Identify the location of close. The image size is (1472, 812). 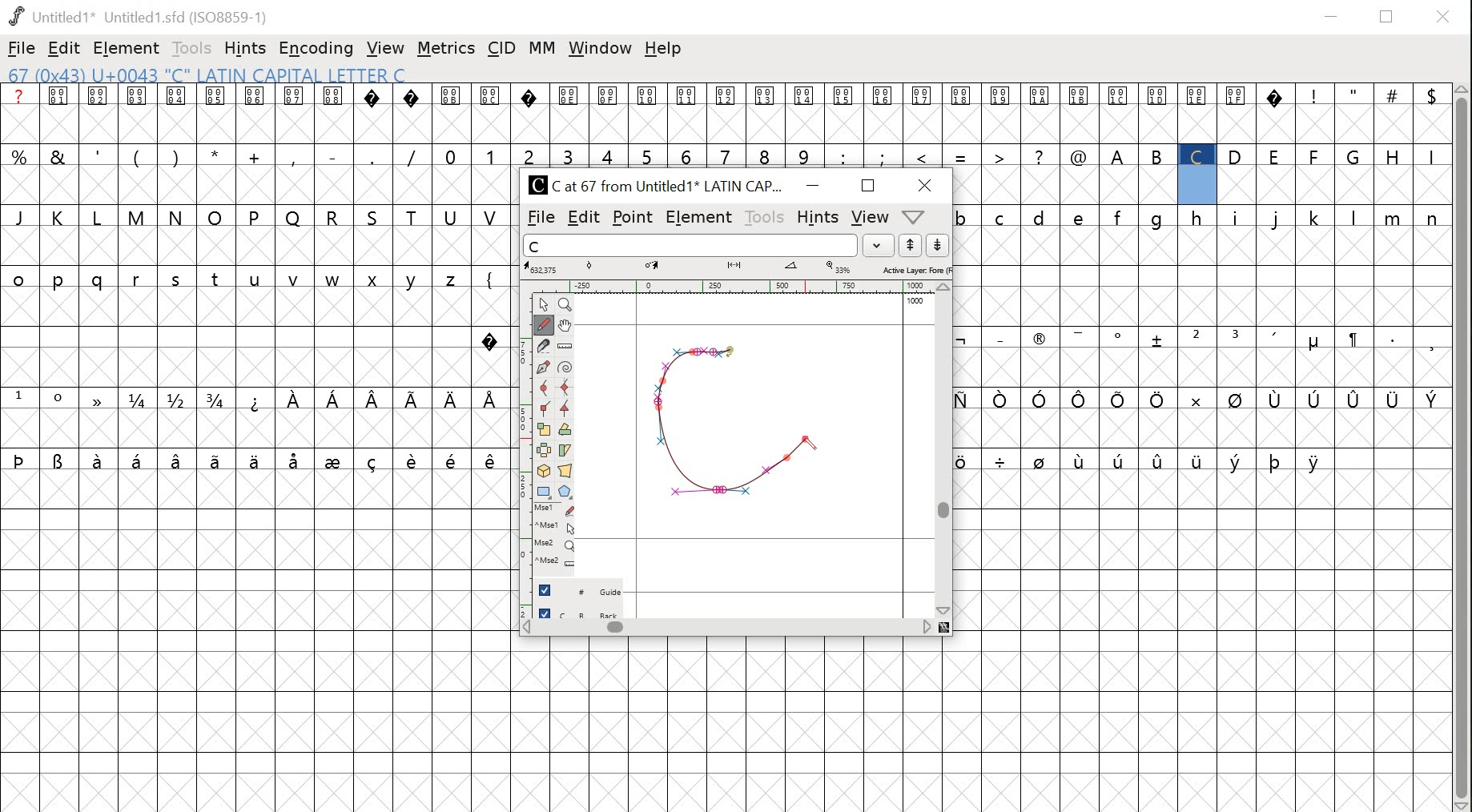
(927, 184).